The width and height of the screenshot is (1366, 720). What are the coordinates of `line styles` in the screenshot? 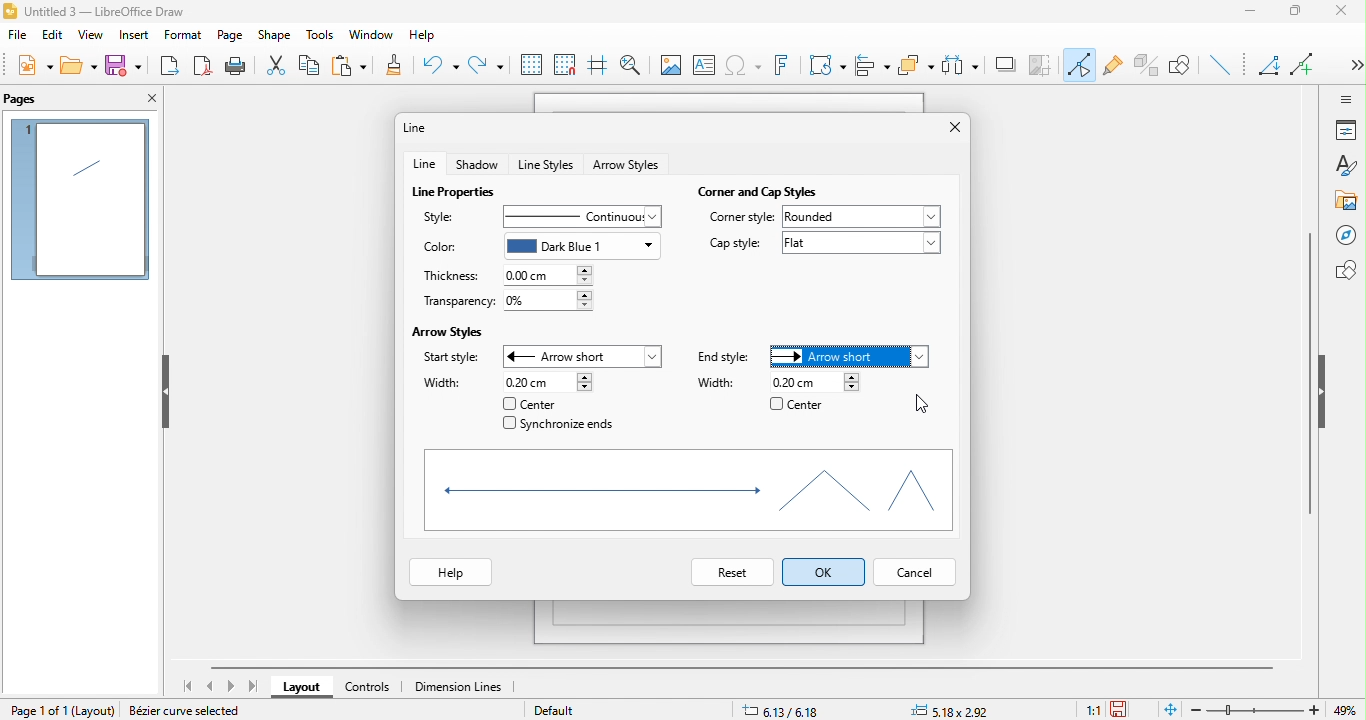 It's located at (546, 164).